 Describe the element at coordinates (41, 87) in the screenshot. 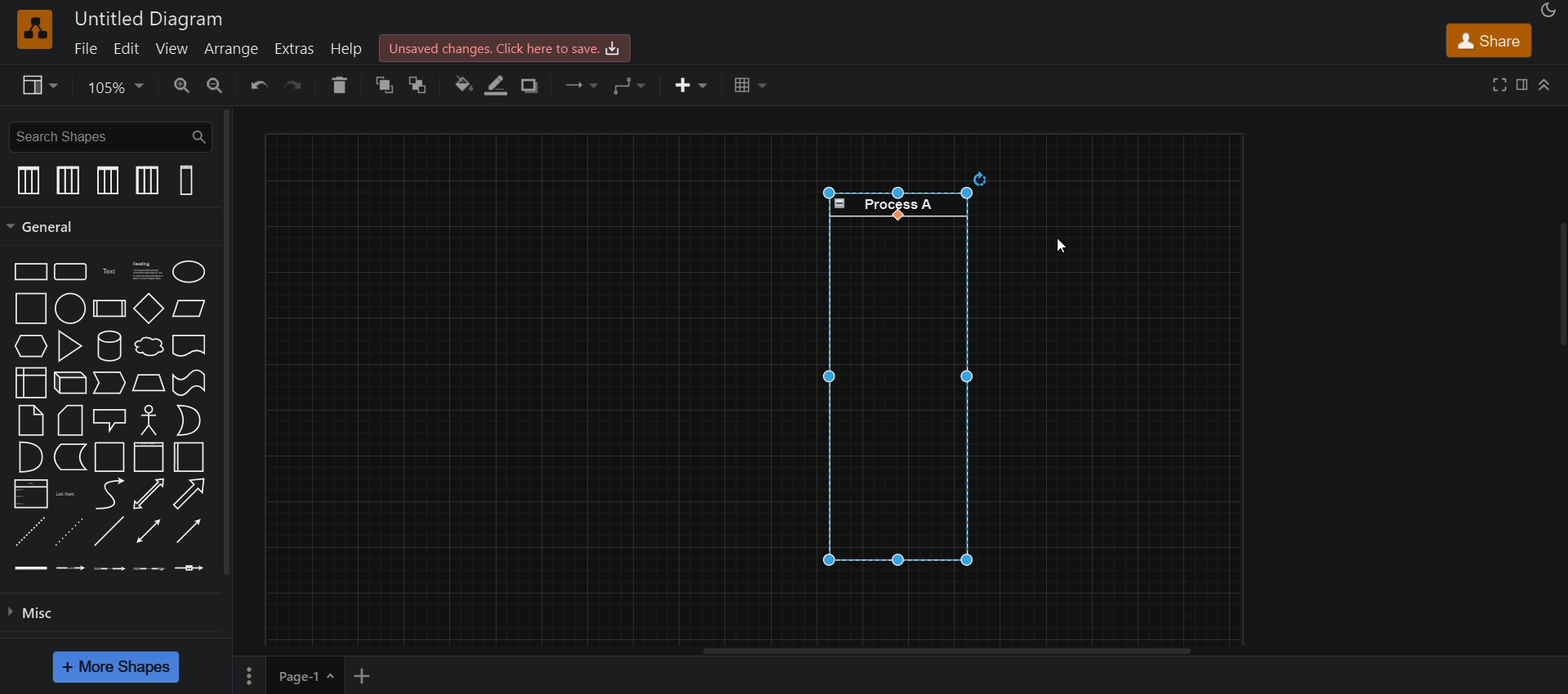

I see `view` at that location.